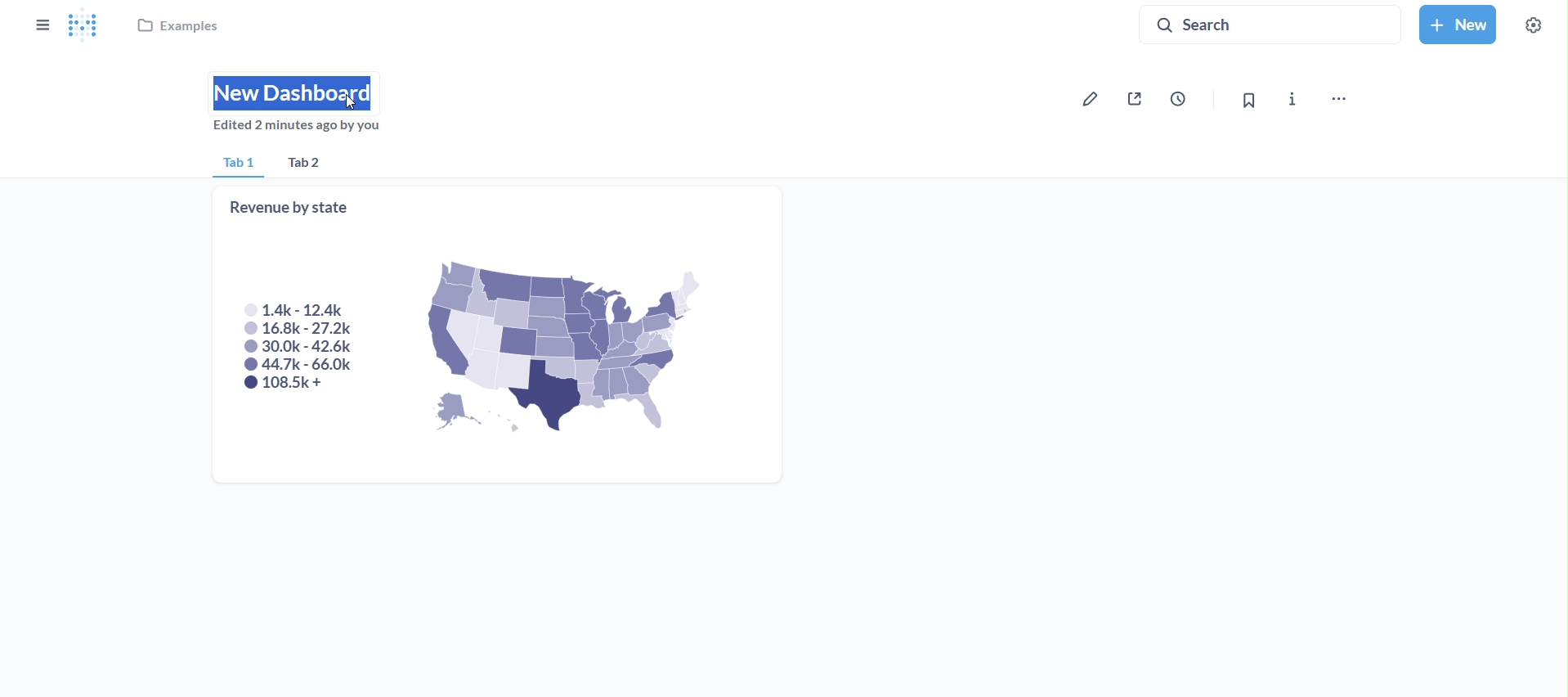  Describe the element at coordinates (313, 164) in the screenshot. I see `tab 2` at that location.